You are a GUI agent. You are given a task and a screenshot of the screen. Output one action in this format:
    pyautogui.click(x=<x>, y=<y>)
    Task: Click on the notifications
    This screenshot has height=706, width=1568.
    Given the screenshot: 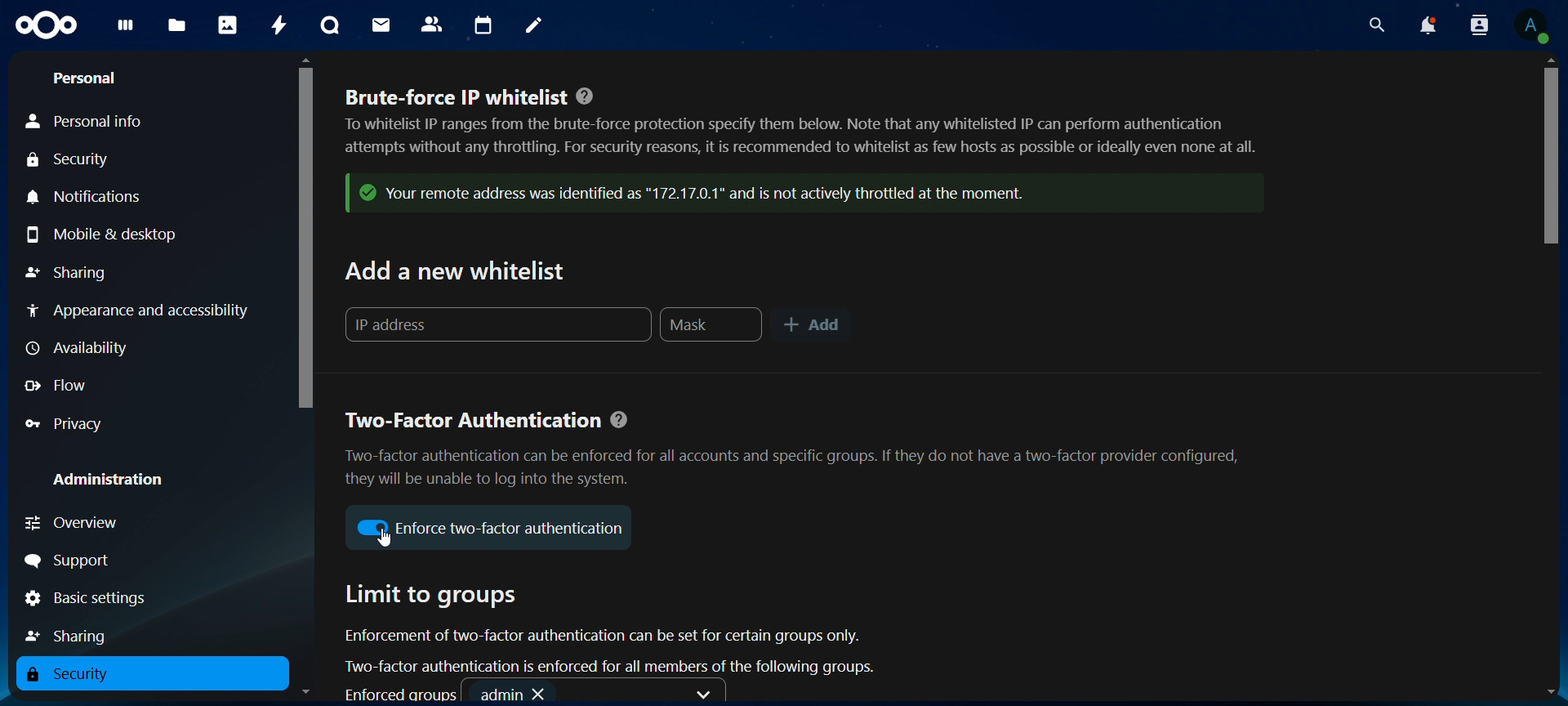 What is the action you would take?
    pyautogui.click(x=1430, y=27)
    